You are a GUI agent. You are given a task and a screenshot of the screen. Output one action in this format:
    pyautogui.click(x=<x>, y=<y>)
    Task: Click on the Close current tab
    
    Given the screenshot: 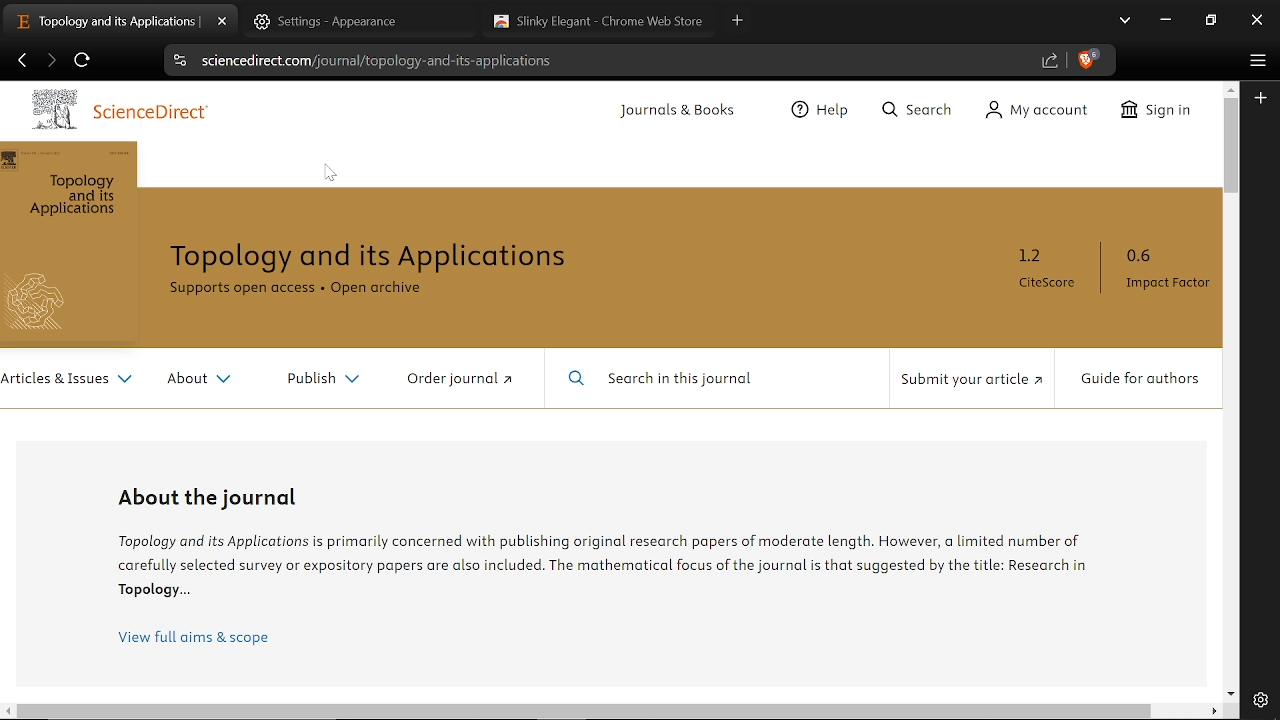 What is the action you would take?
    pyautogui.click(x=223, y=20)
    